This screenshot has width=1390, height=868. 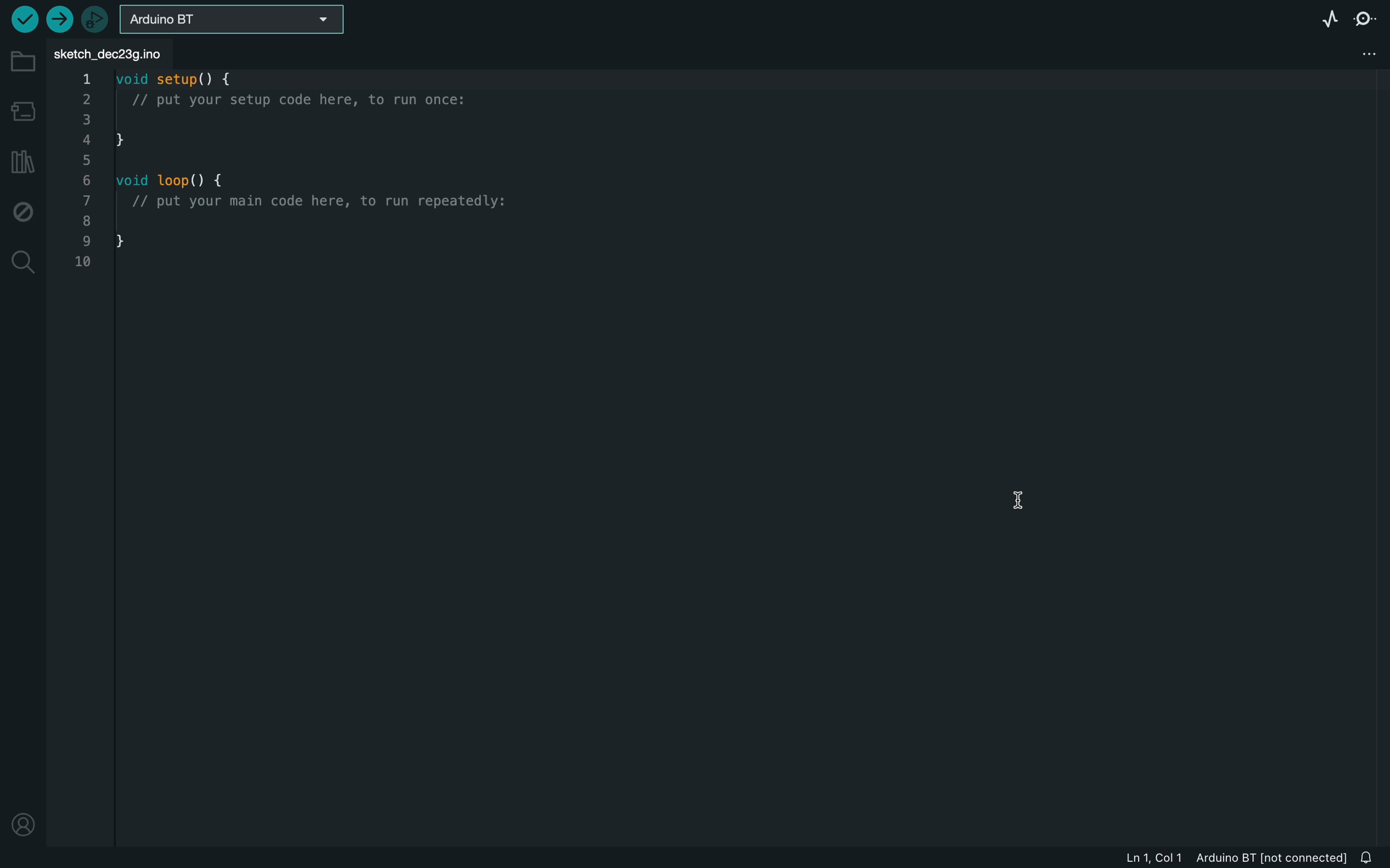 I want to click on profile, so click(x=25, y=820).